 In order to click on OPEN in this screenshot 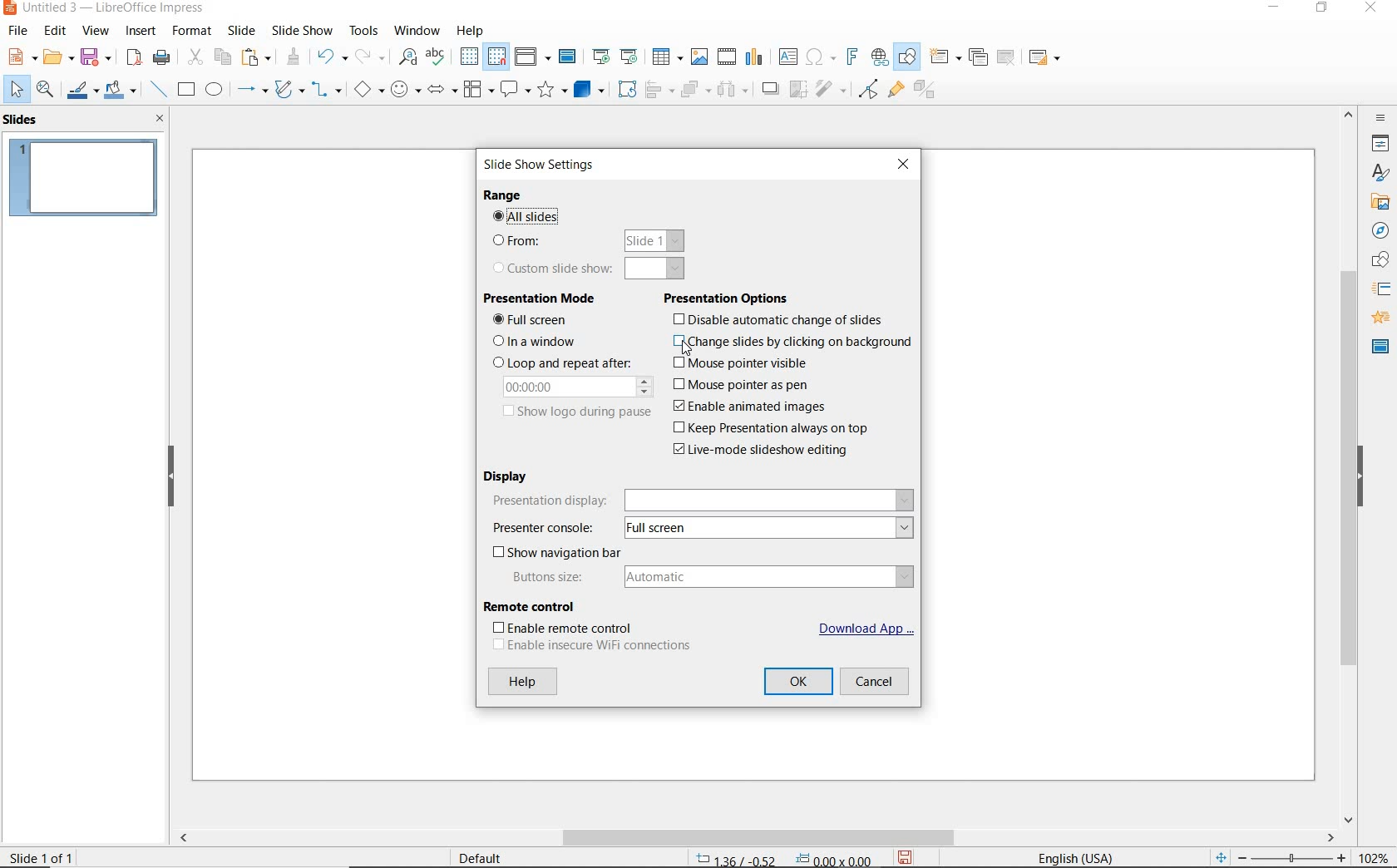, I will do `click(57, 57)`.